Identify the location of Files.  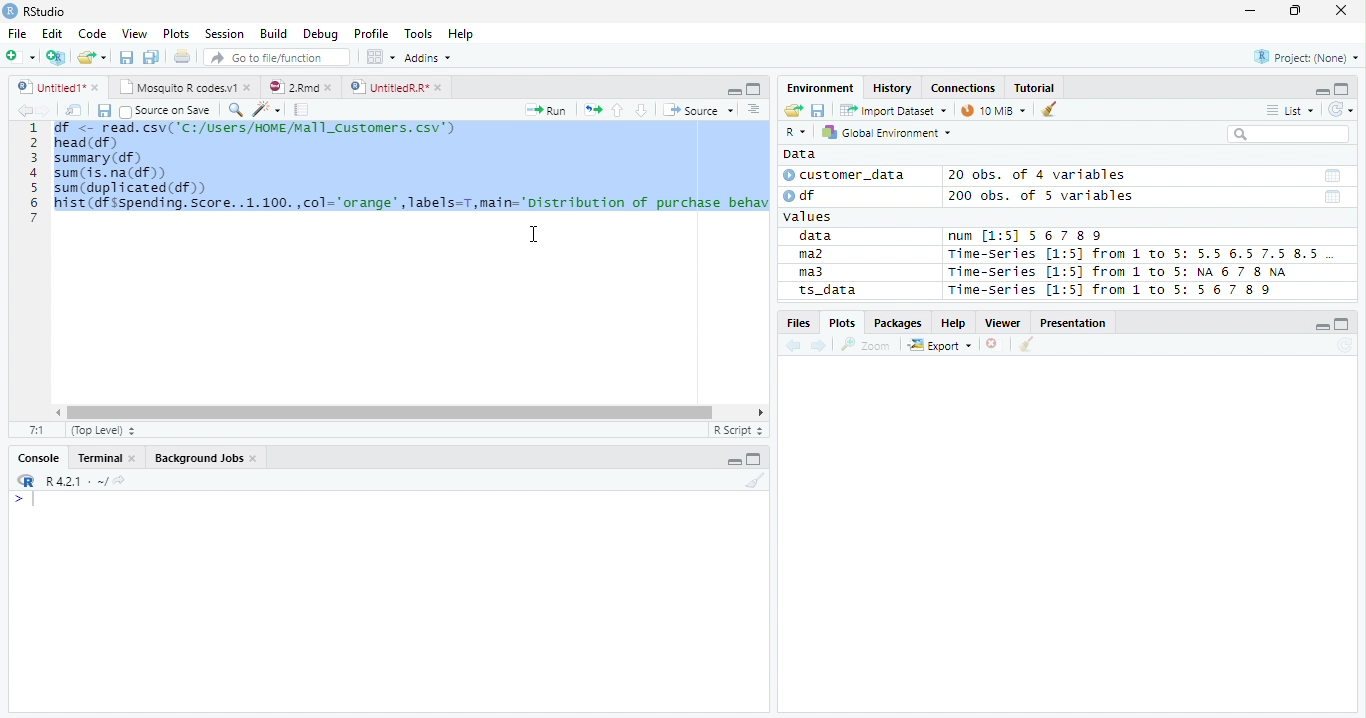
(798, 323).